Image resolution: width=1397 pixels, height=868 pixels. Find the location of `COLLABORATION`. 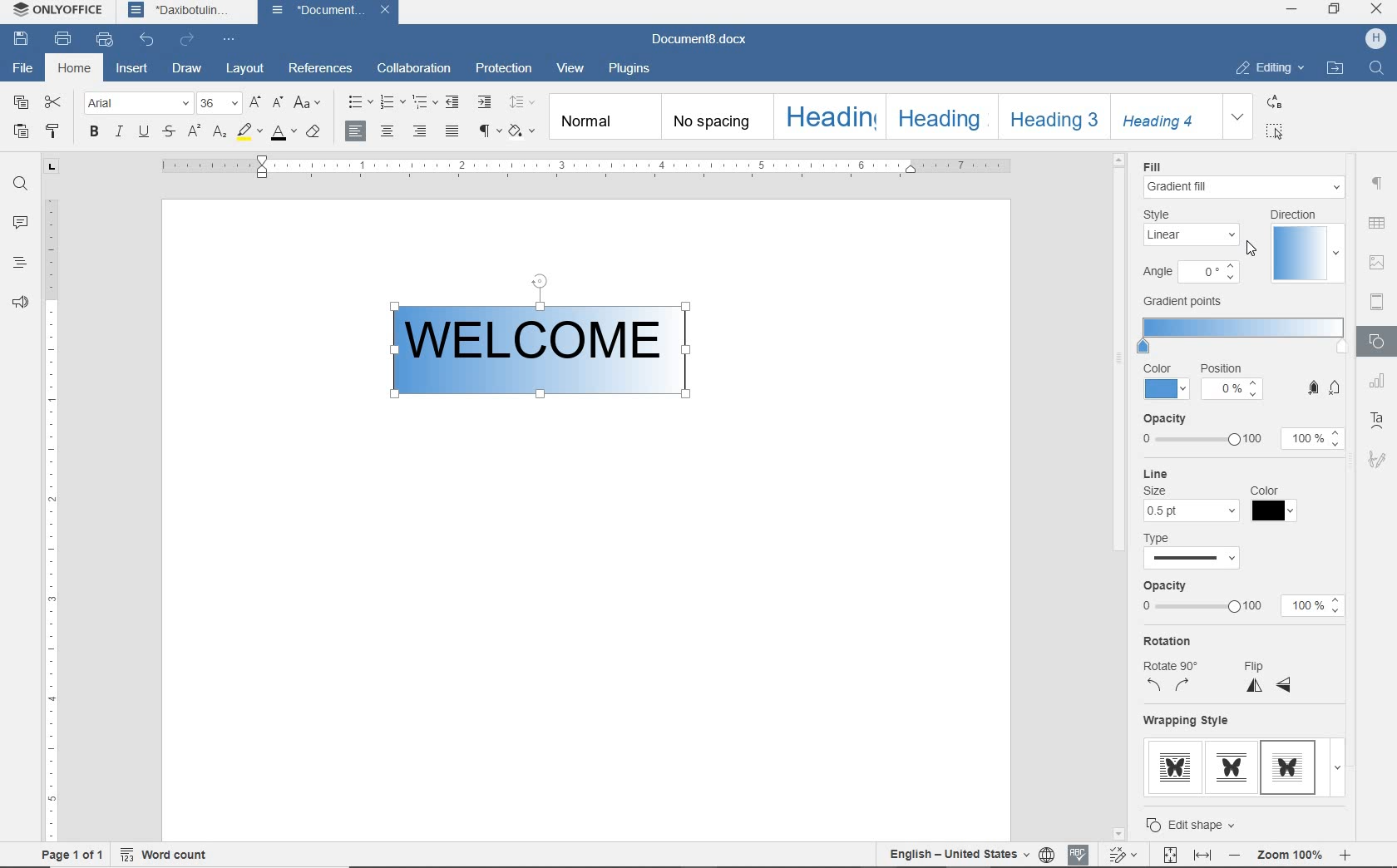

COLLABORATION is located at coordinates (413, 68).